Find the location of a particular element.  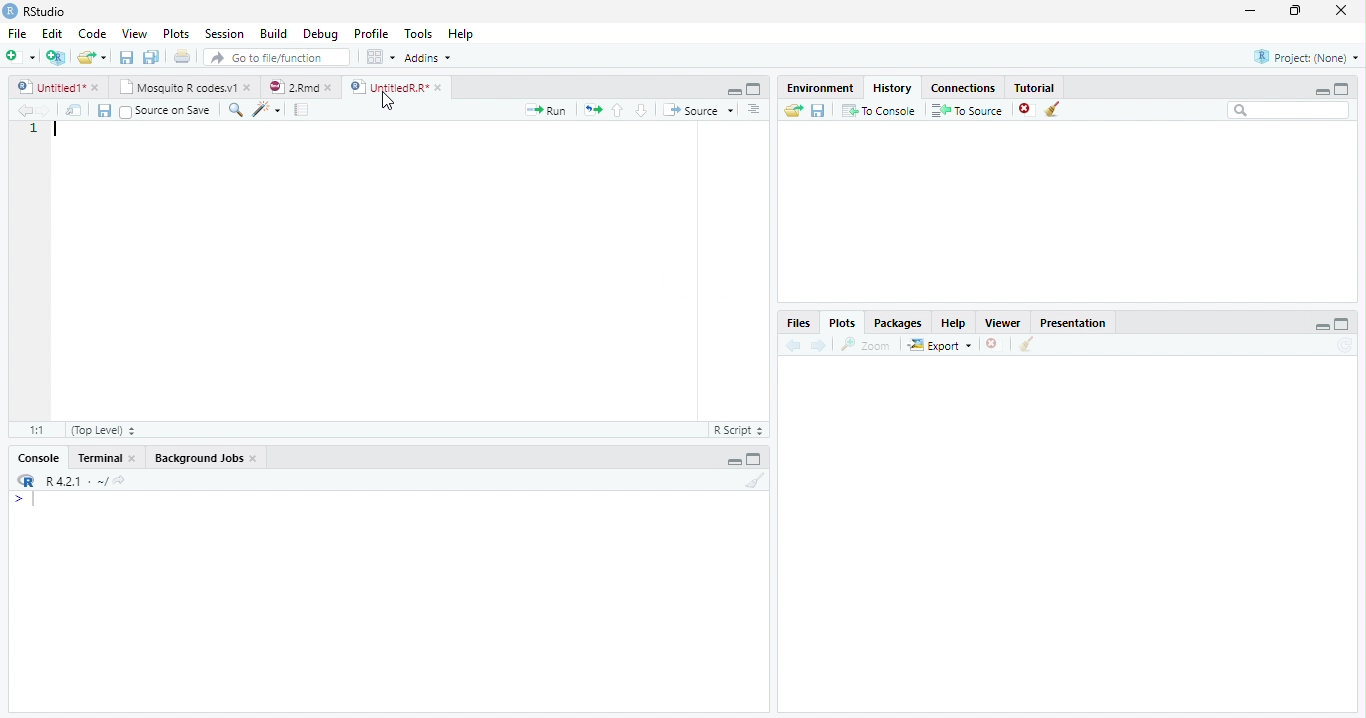

View is located at coordinates (134, 33).